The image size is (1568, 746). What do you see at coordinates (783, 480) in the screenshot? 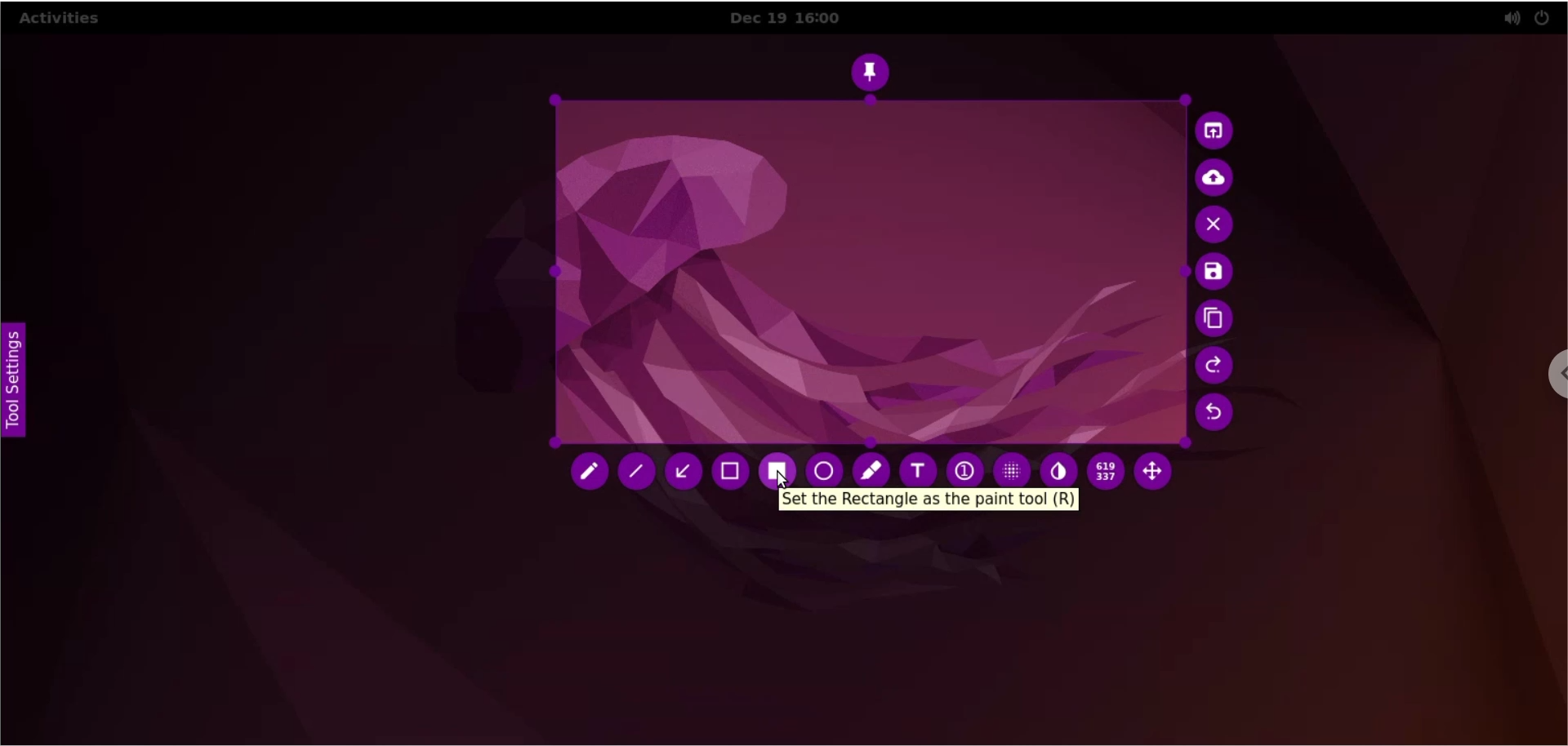
I see `cursor` at bounding box center [783, 480].